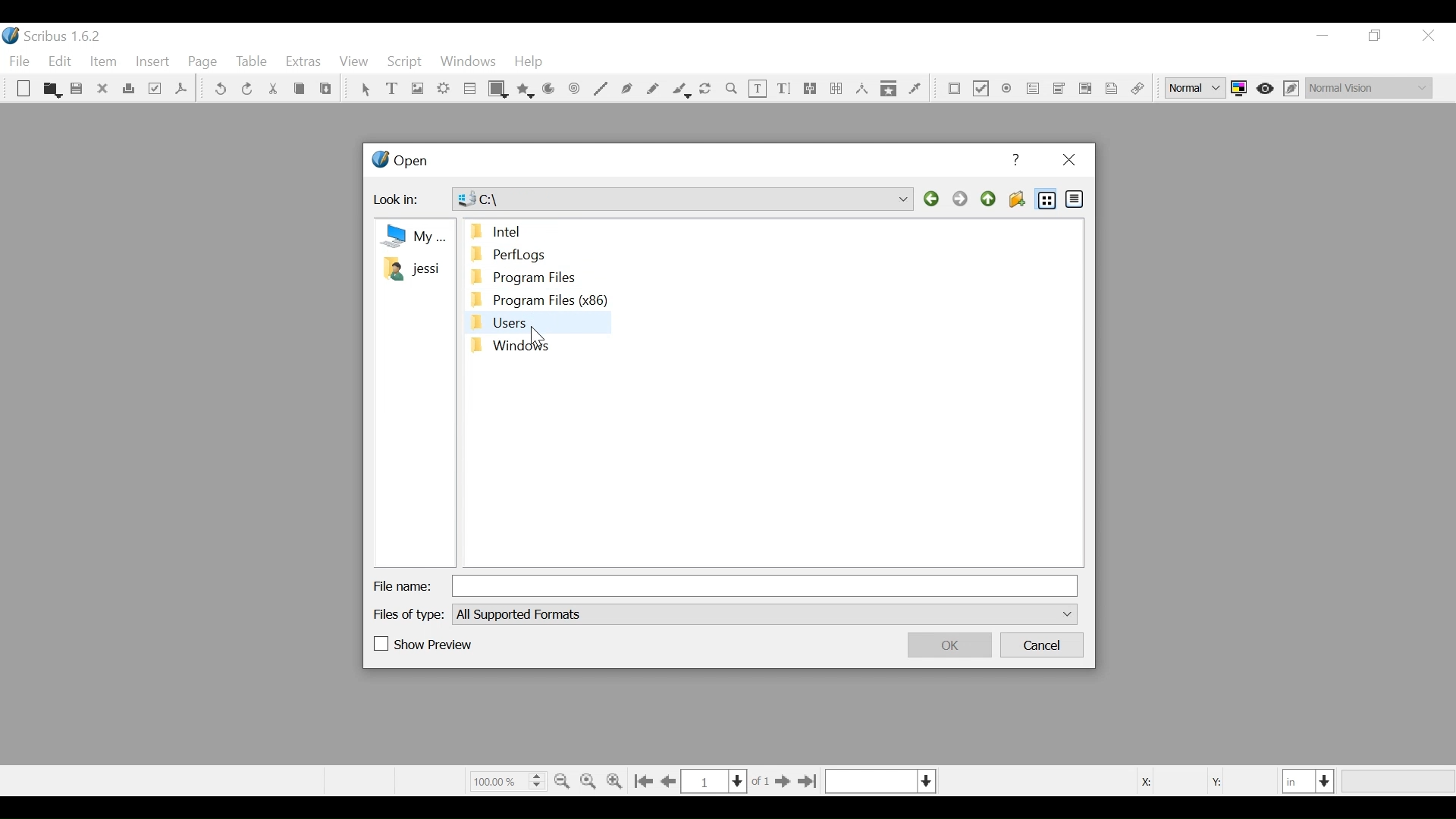  Describe the element at coordinates (221, 89) in the screenshot. I see `undo` at that location.